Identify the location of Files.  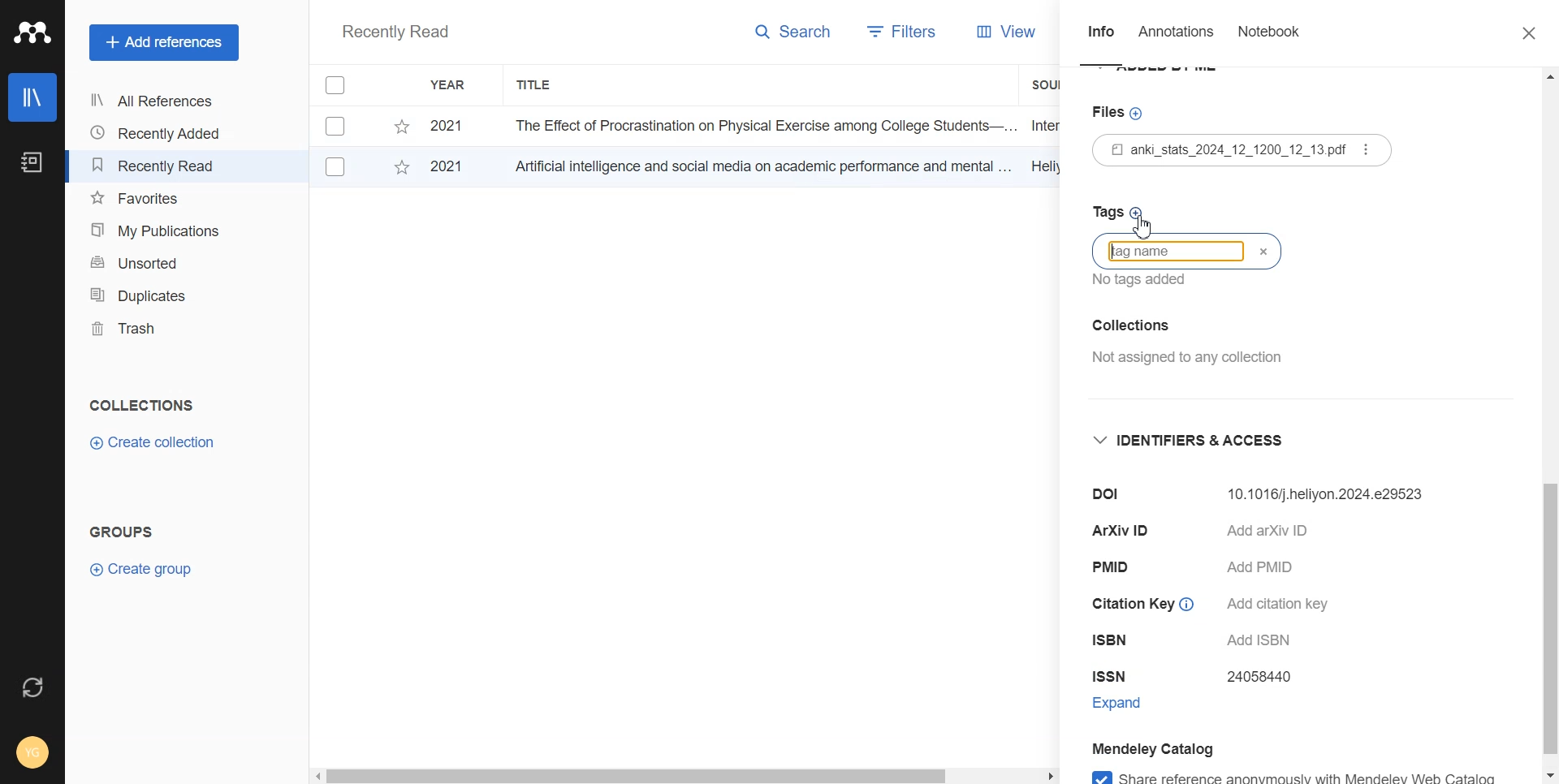
(1249, 153).